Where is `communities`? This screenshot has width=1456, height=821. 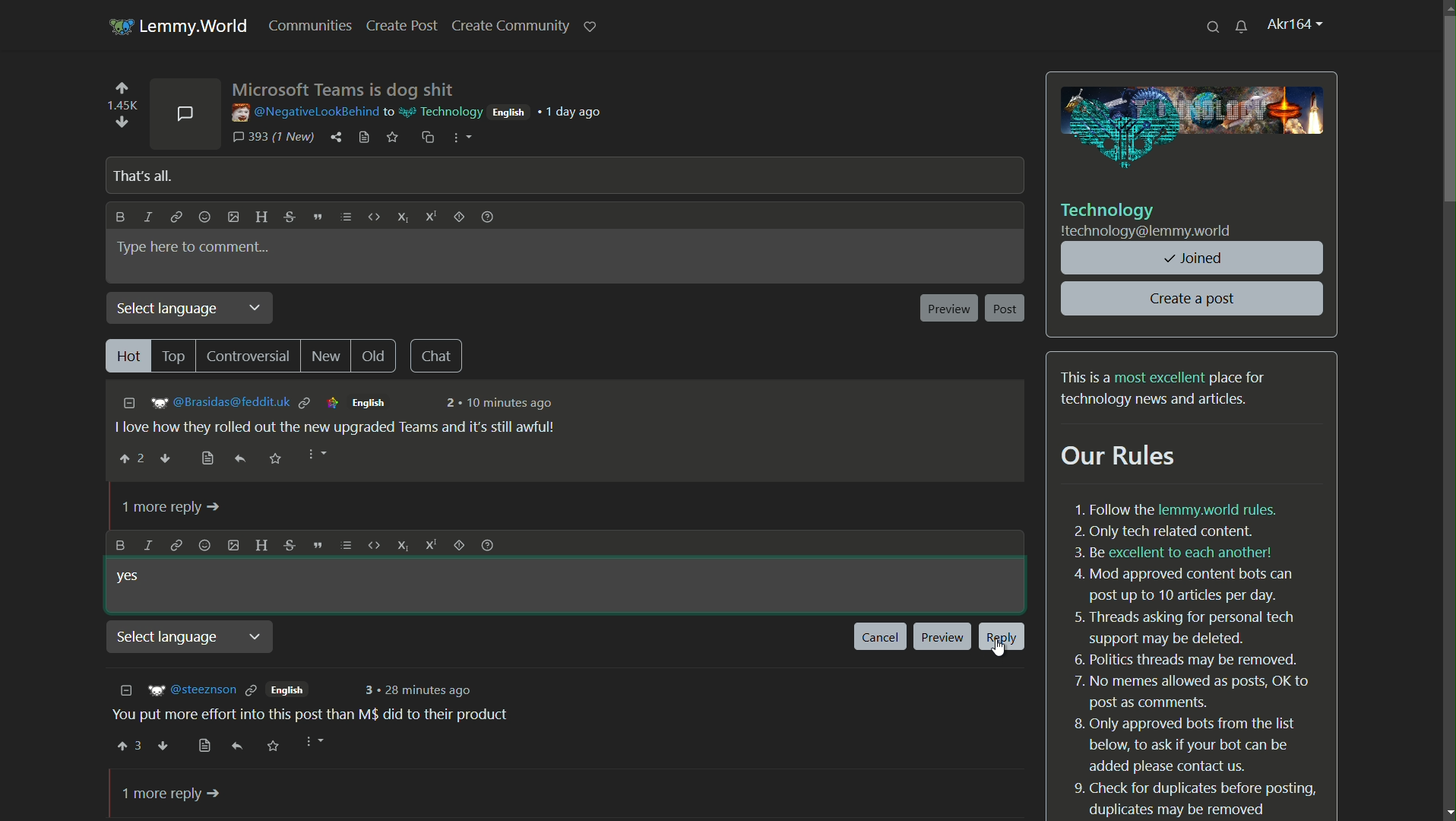
communities is located at coordinates (315, 26).